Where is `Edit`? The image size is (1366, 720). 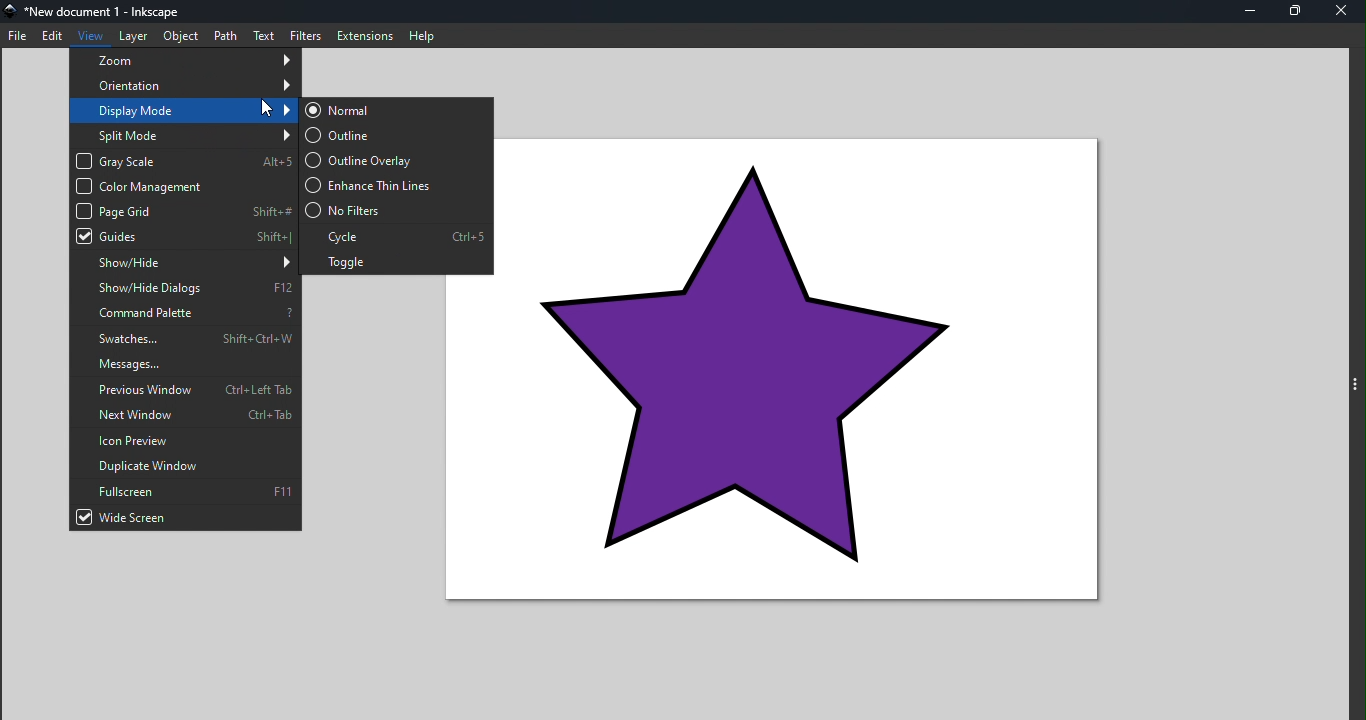 Edit is located at coordinates (55, 36).